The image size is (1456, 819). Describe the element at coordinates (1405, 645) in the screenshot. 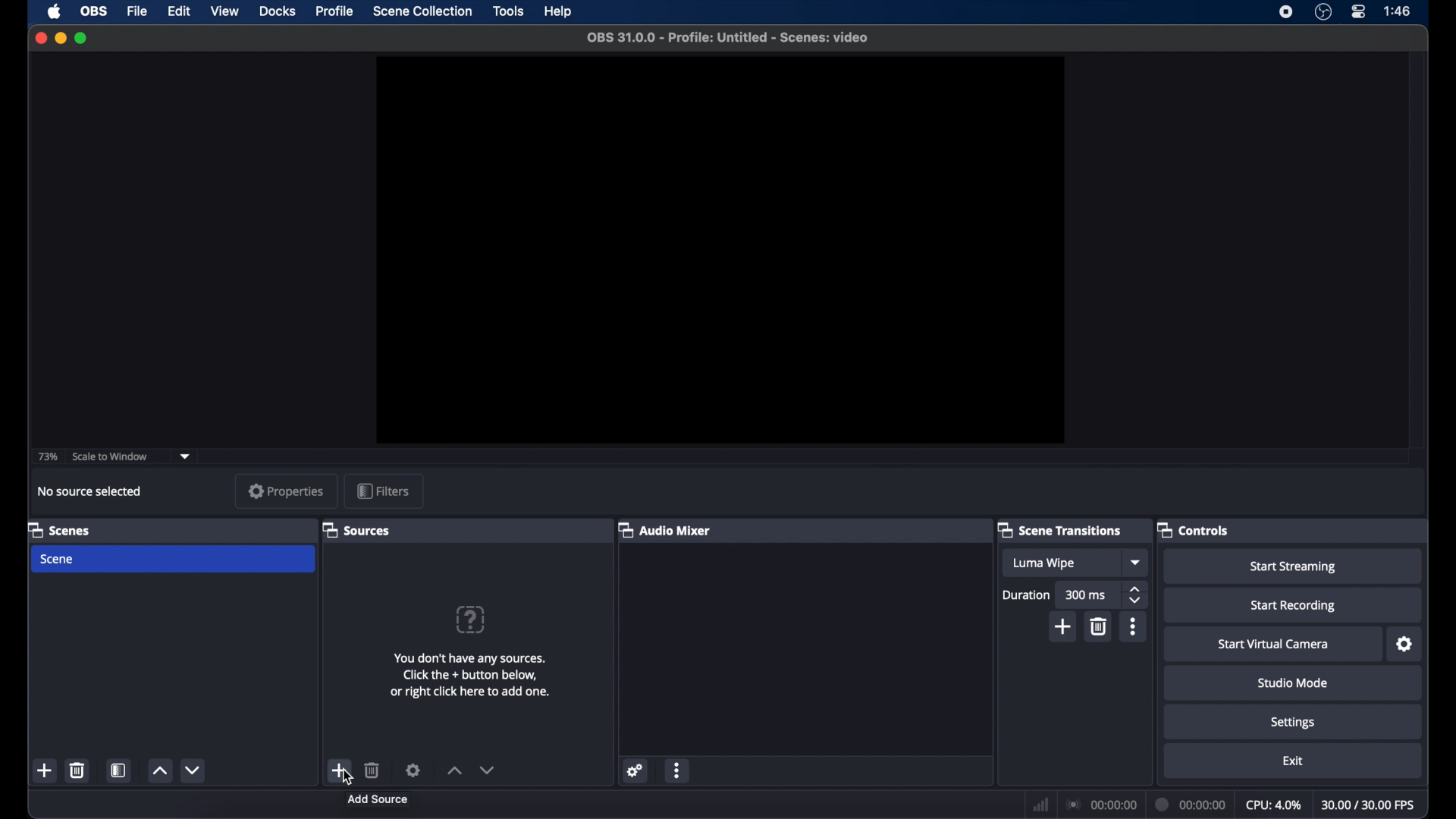

I see `settings` at that location.